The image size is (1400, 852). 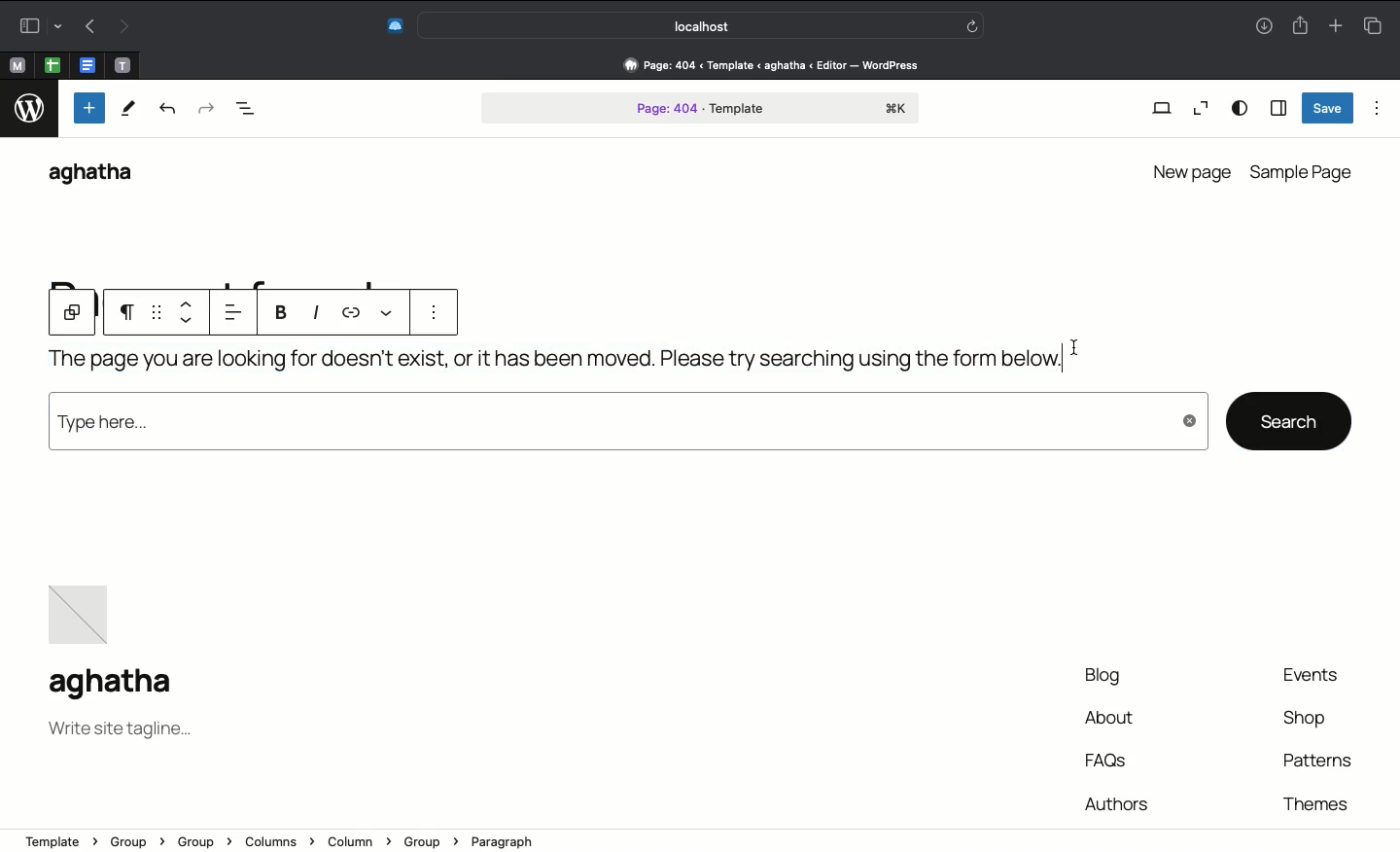 I want to click on Type here, so click(x=625, y=427).